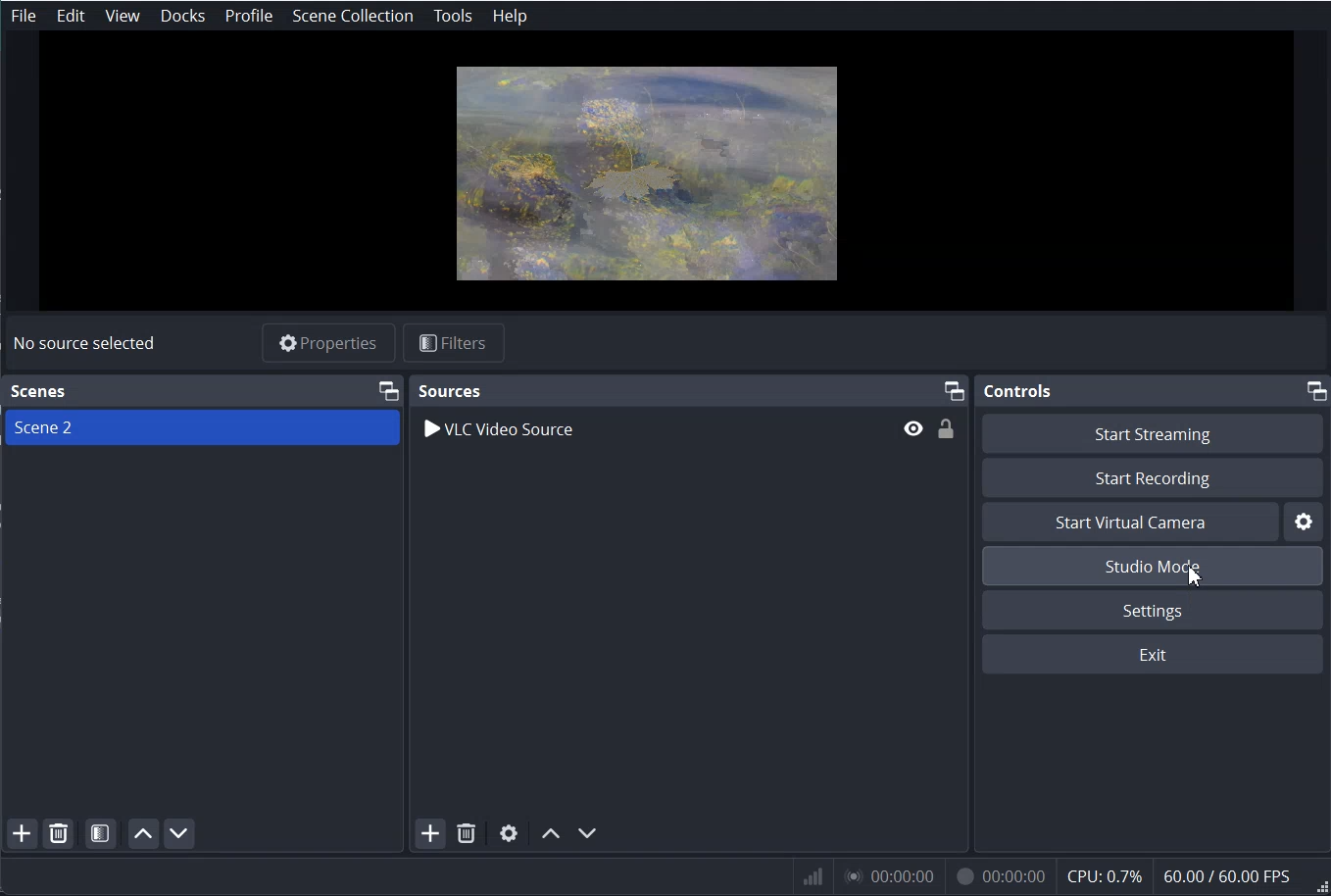  What do you see at coordinates (1023, 392) in the screenshot?
I see `Control` at bounding box center [1023, 392].